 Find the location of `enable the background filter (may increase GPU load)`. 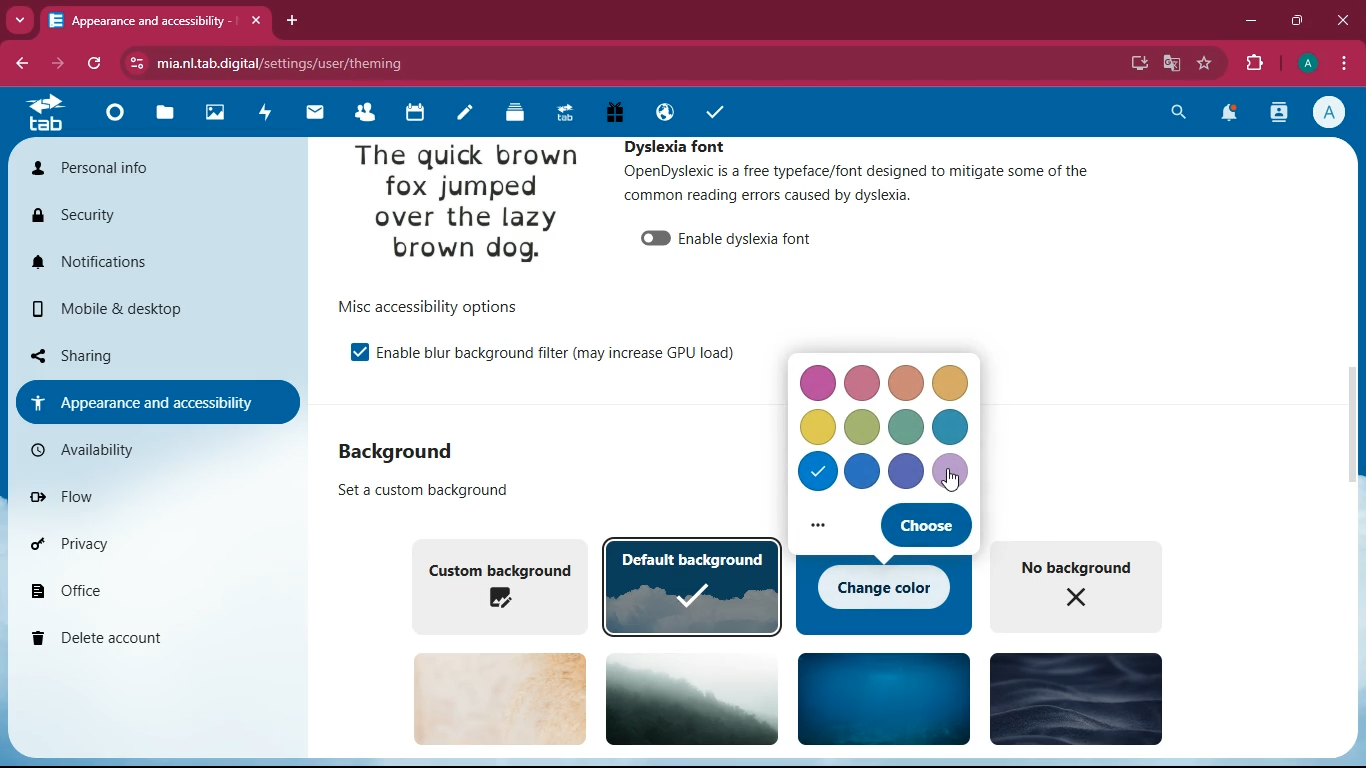

enable the background filter (may increase GPU load) is located at coordinates (566, 354).